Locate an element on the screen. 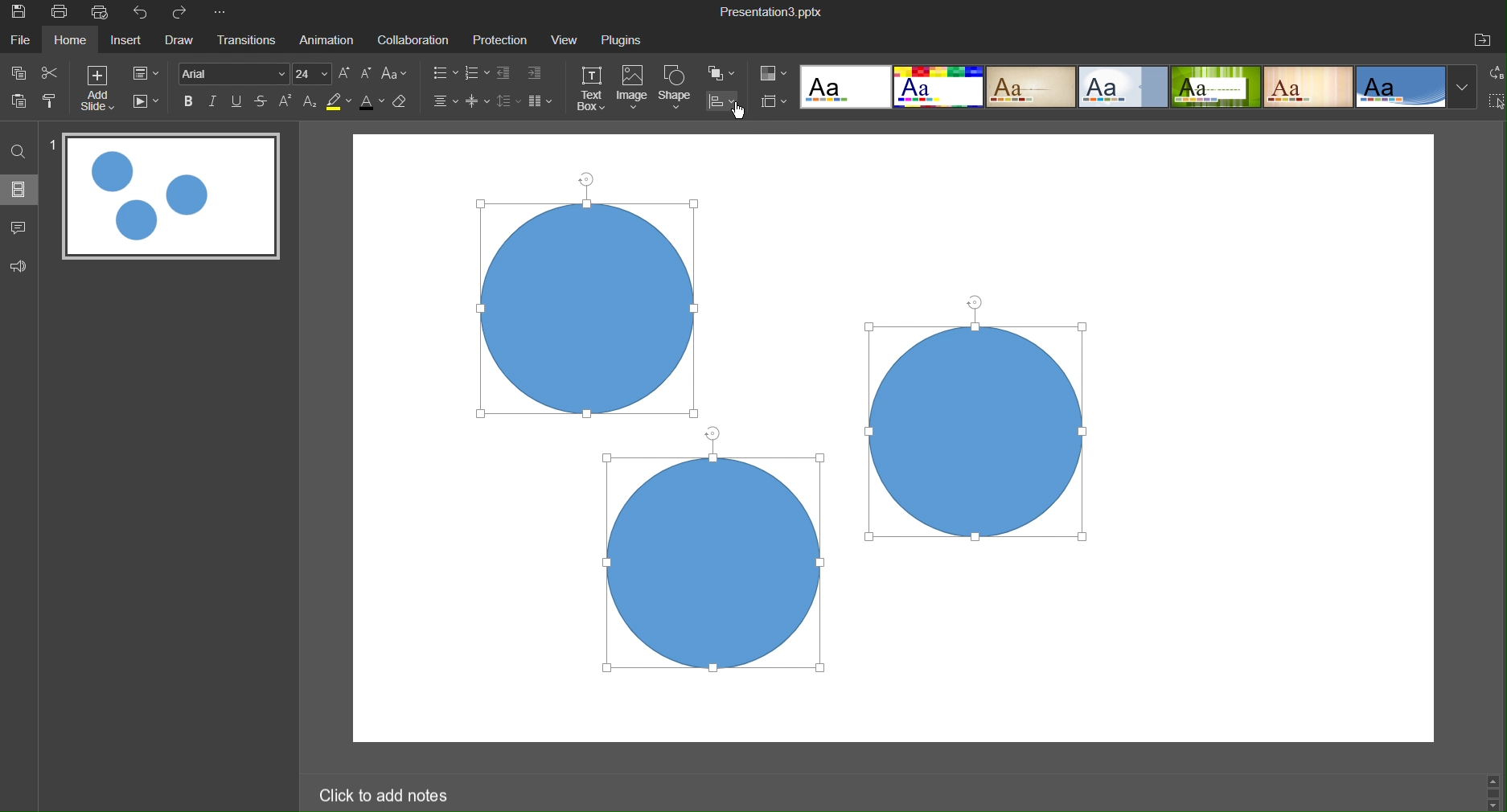 The image size is (1507, 812). Quick Print is located at coordinates (103, 13).